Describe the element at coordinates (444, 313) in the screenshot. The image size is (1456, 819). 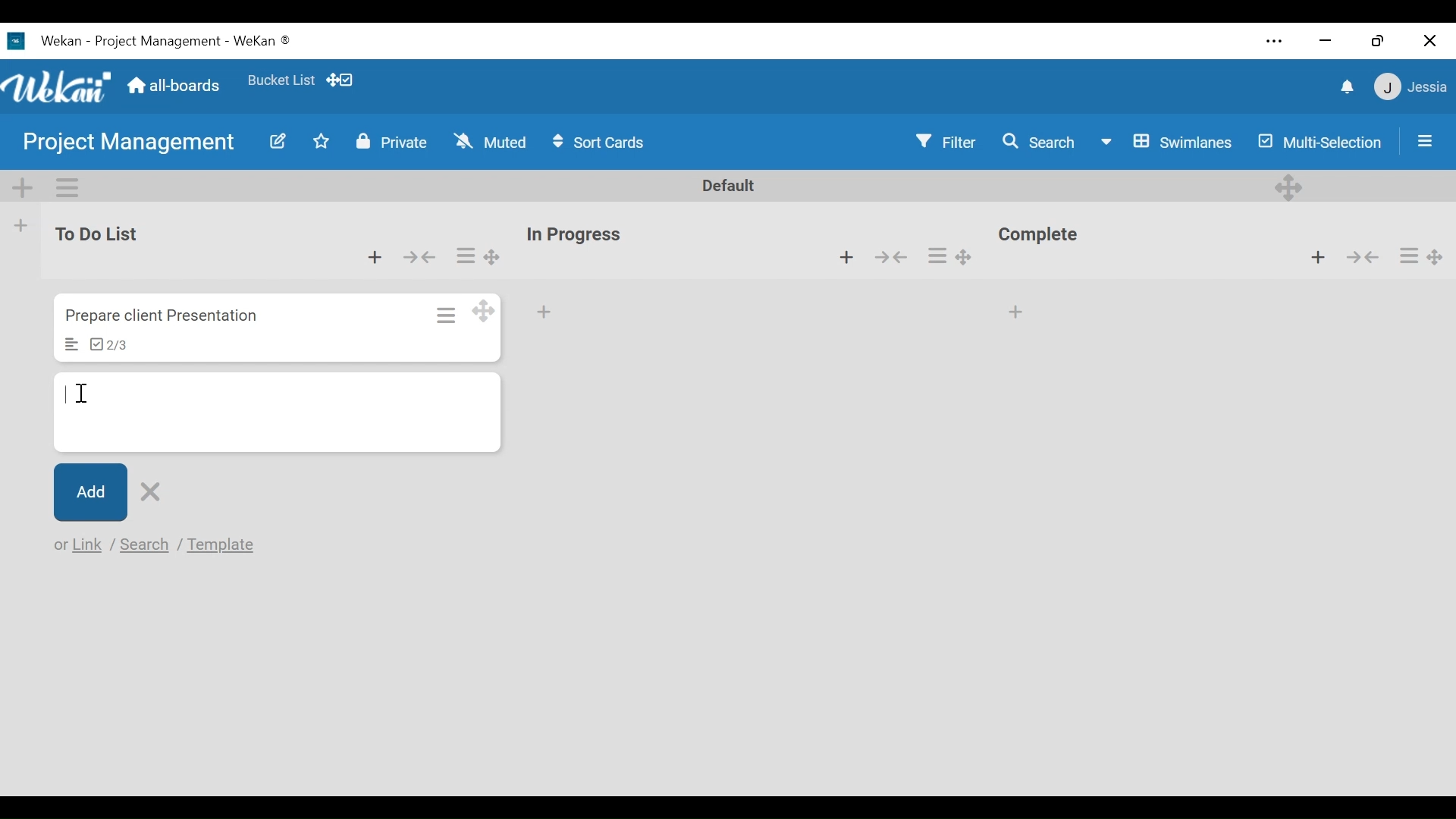
I see `Card actions` at that location.